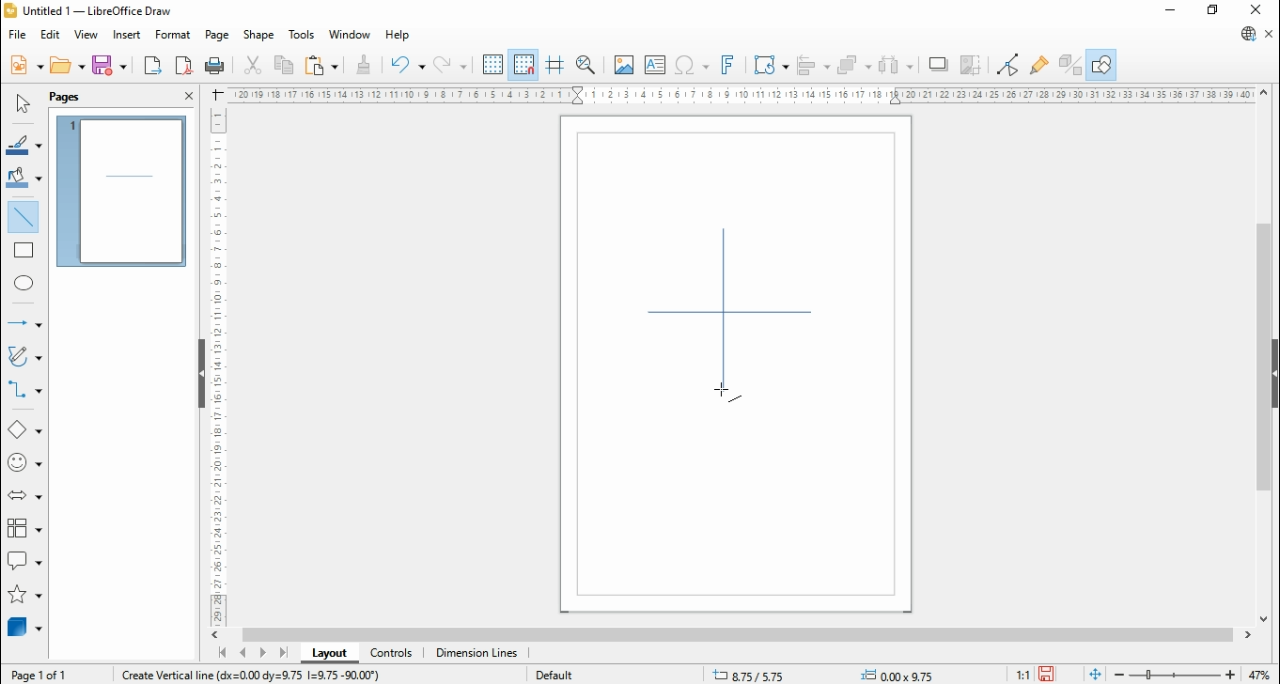  I want to click on fit document to window, so click(1095, 675).